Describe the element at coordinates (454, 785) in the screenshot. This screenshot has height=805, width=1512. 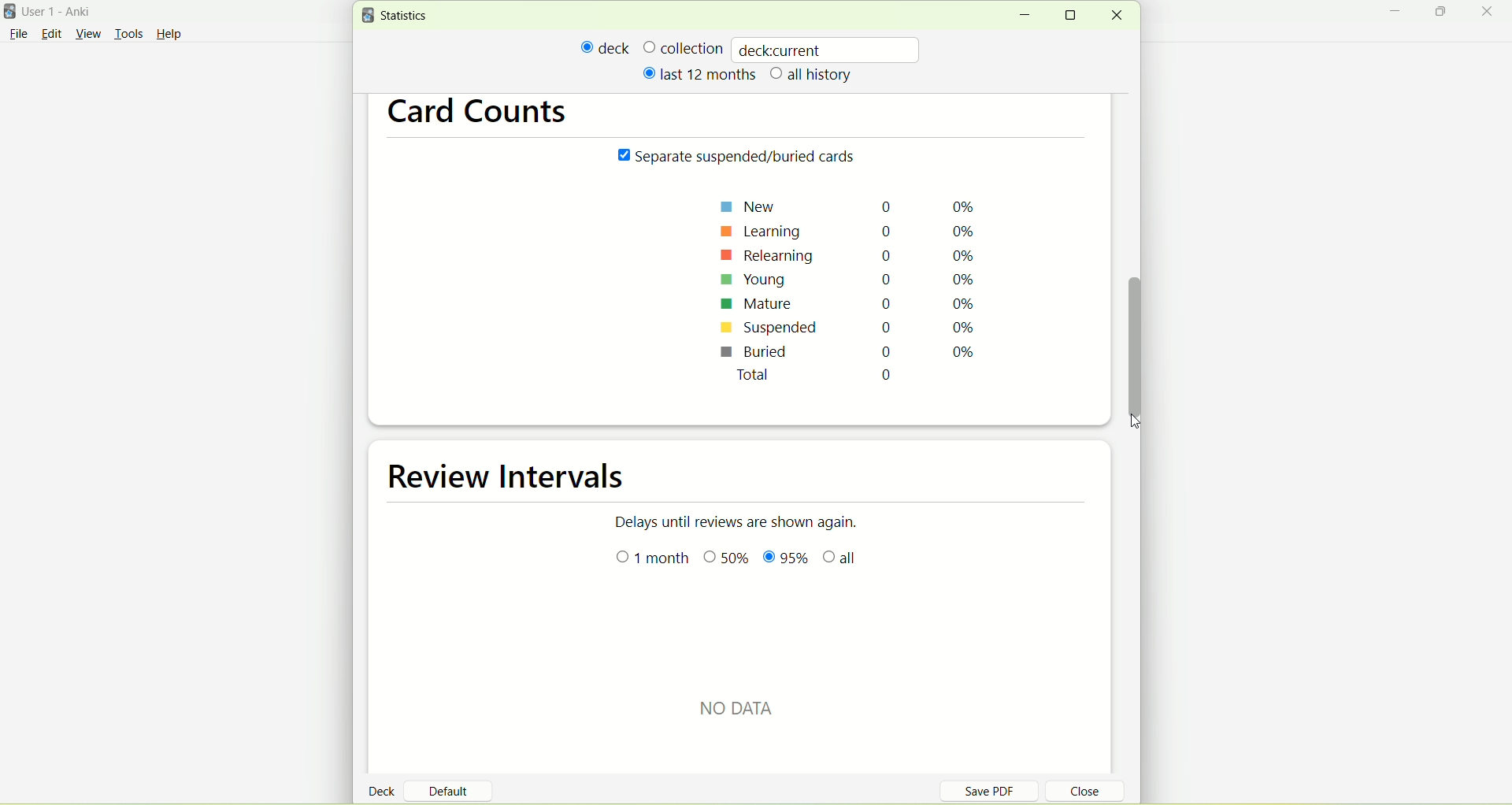
I see `default` at that location.